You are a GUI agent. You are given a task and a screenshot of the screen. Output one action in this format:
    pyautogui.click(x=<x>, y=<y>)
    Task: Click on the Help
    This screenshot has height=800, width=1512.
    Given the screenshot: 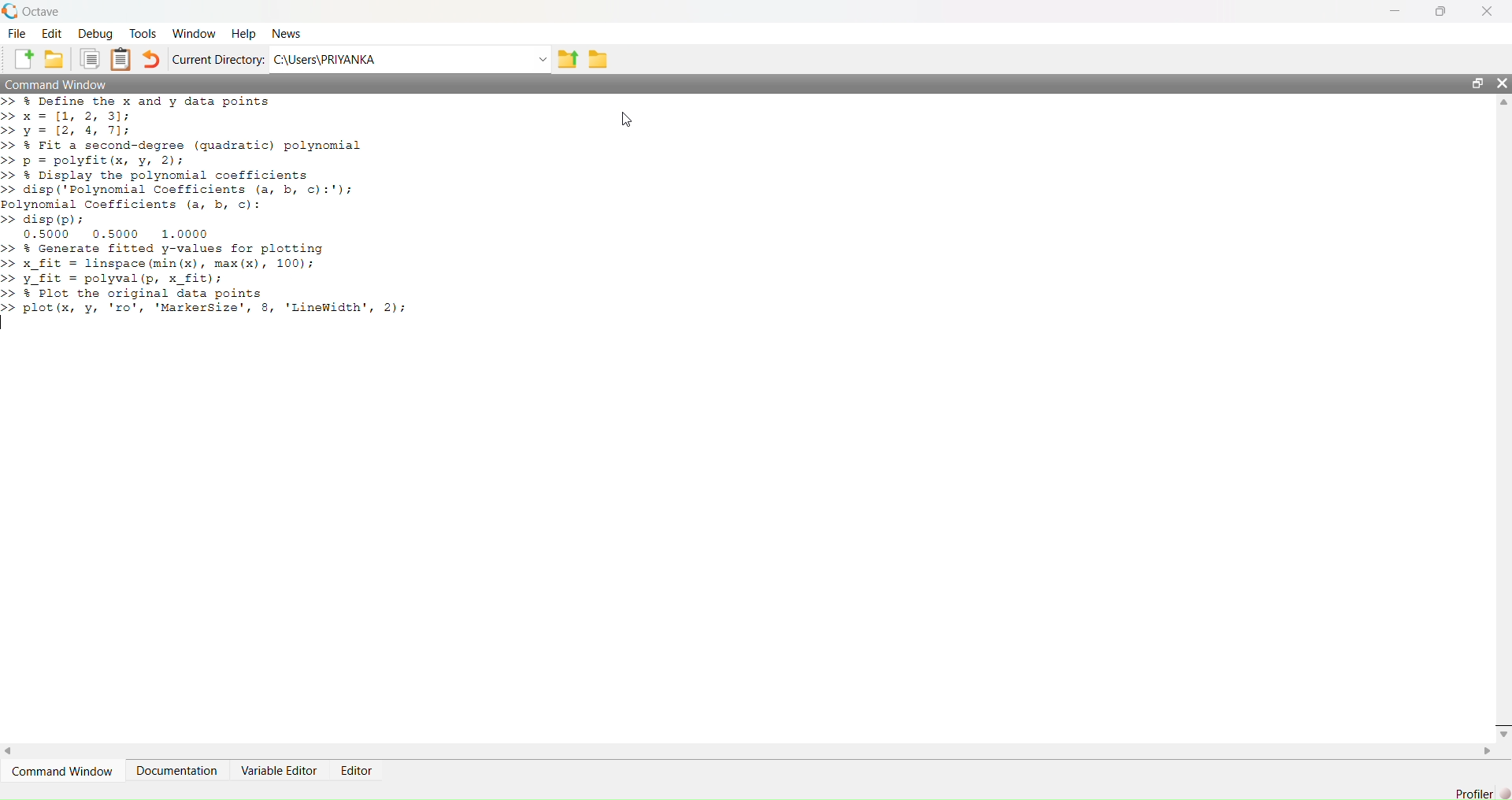 What is the action you would take?
    pyautogui.click(x=242, y=35)
    